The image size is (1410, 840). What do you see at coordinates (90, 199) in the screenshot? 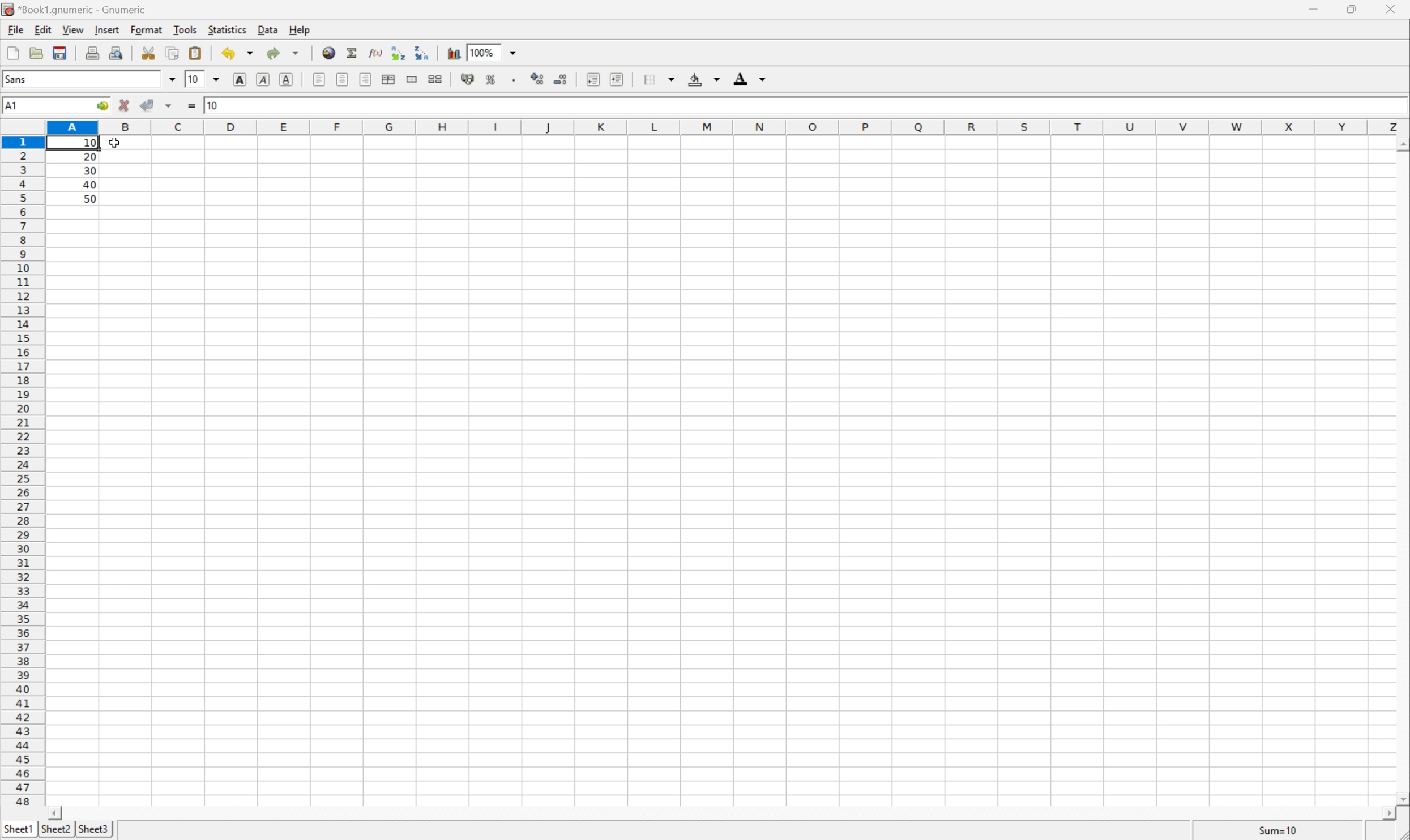
I see `50` at bounding box center [90, 199].